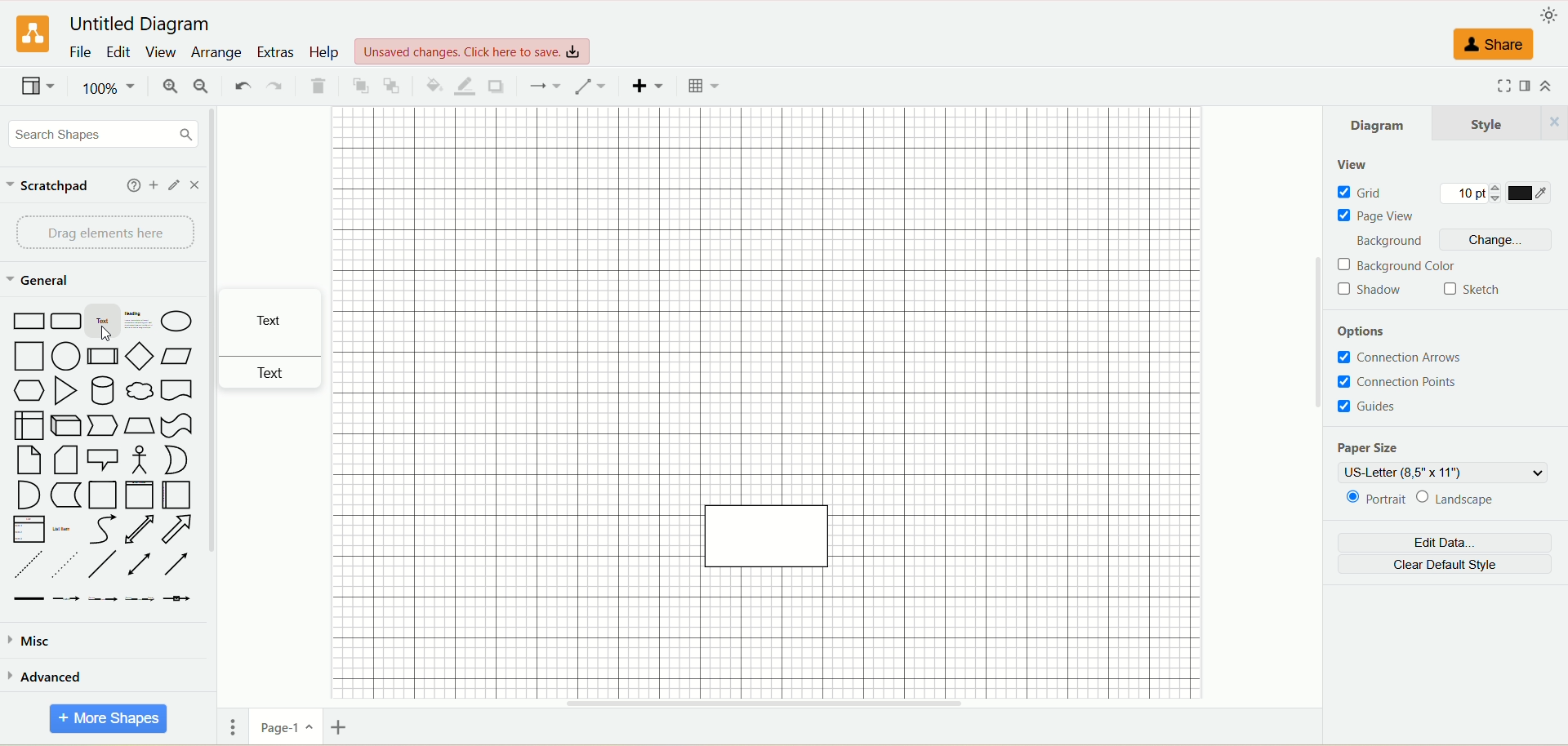 This screenshot has width=1568, height=746. I want to click on page-1, so click(283, 727).